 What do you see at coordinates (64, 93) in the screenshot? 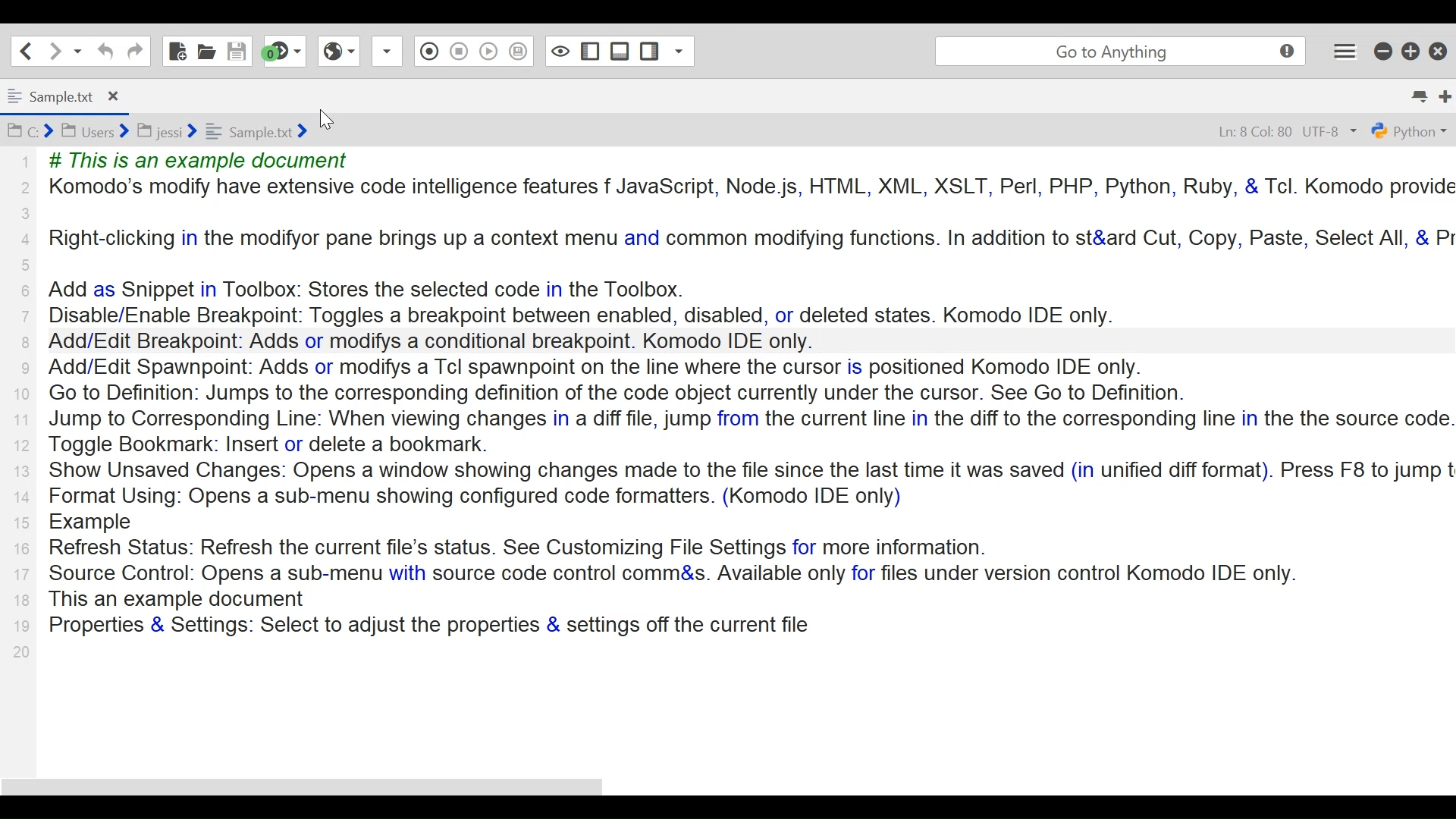
I see `Tab` at bounding box center [64, 93].